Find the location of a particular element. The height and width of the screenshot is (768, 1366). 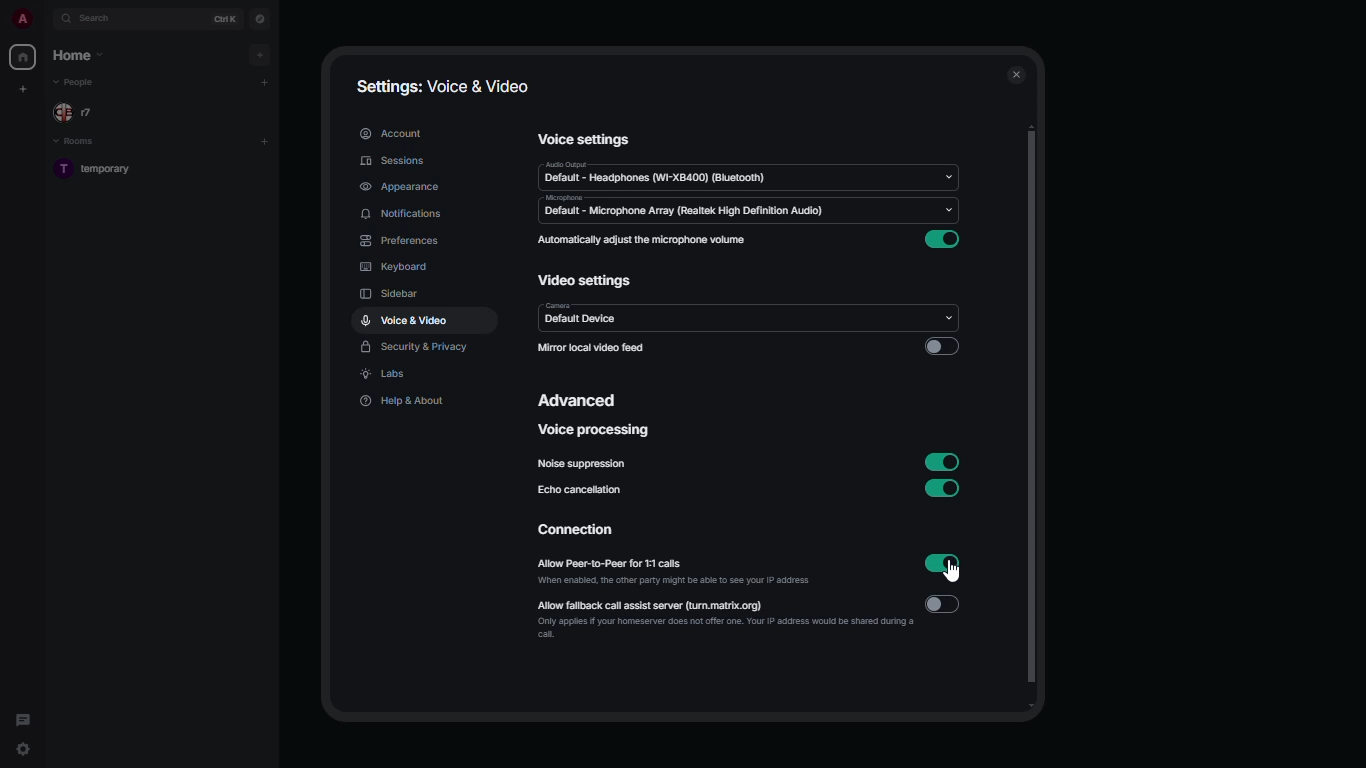

close is located at coordinates (1014, 76).